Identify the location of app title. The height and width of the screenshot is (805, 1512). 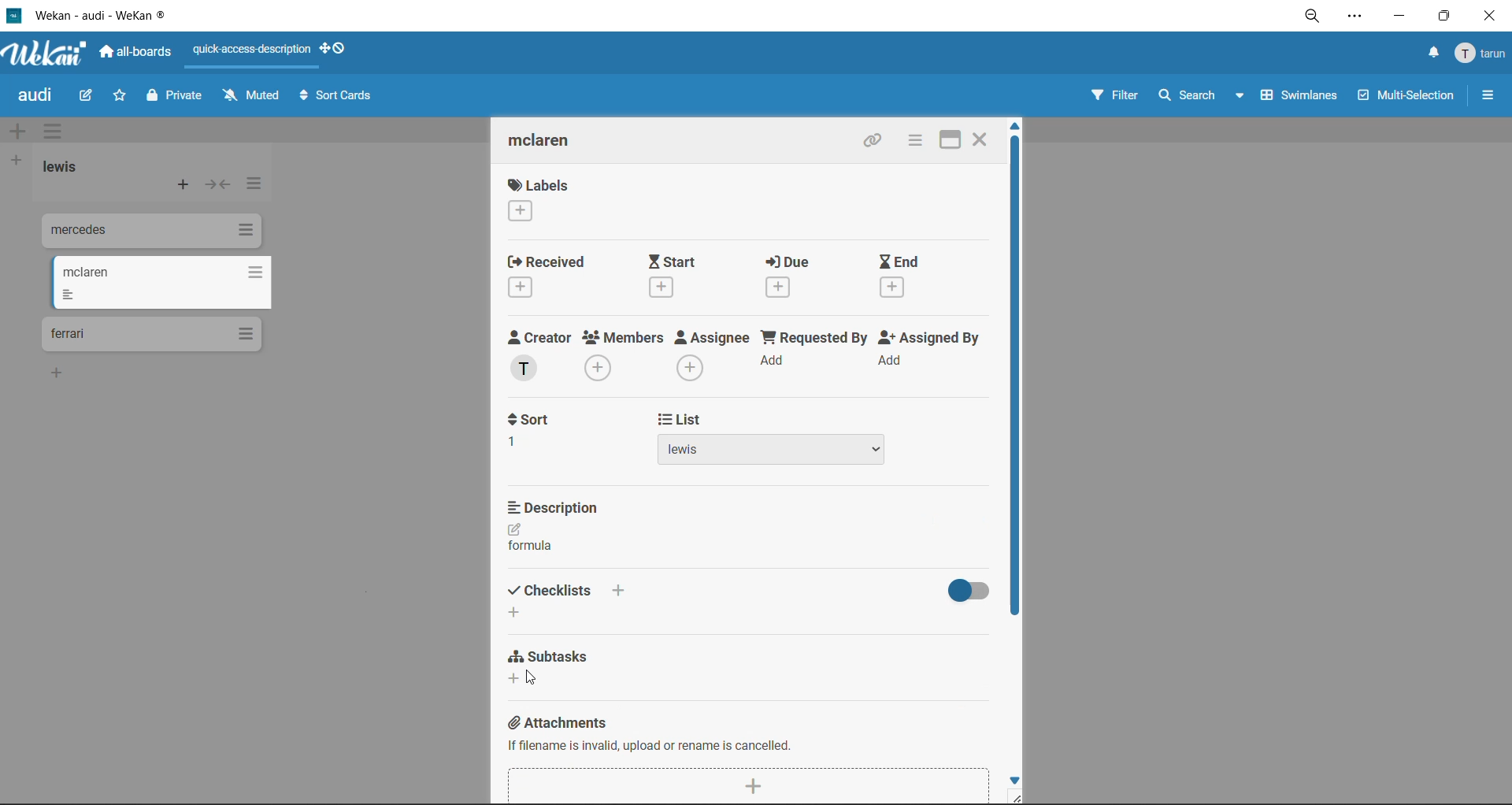
(91, 15).